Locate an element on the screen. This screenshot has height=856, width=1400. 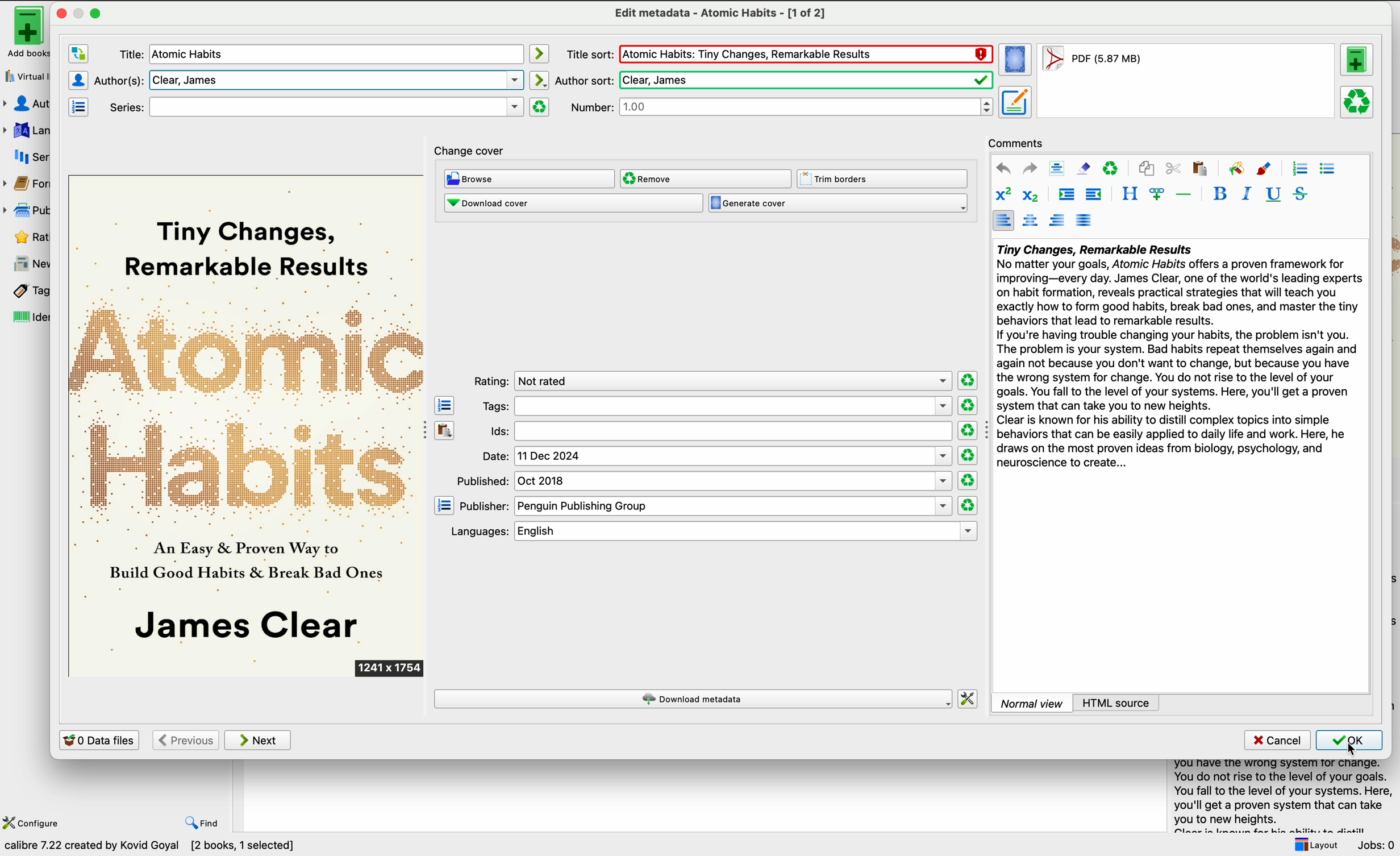
author in red is located at coordinates (803, 80).